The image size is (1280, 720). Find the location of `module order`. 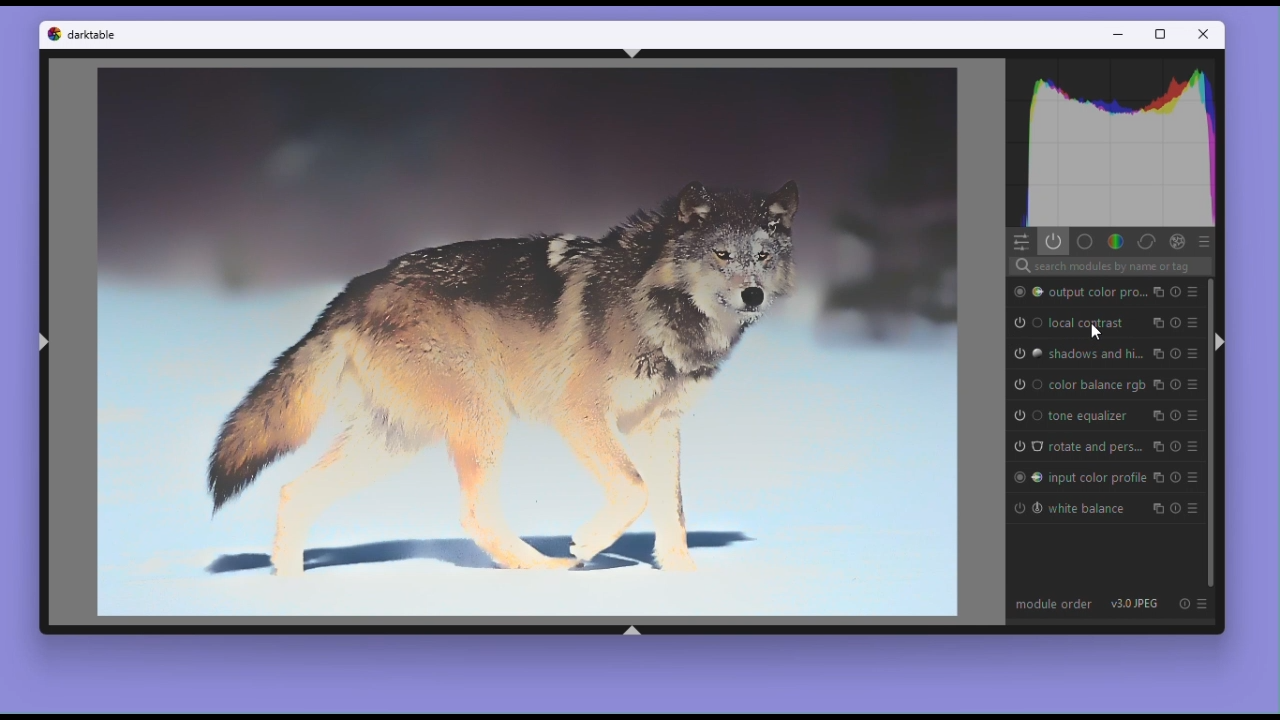

module order is located at coordinates (1053, 603).